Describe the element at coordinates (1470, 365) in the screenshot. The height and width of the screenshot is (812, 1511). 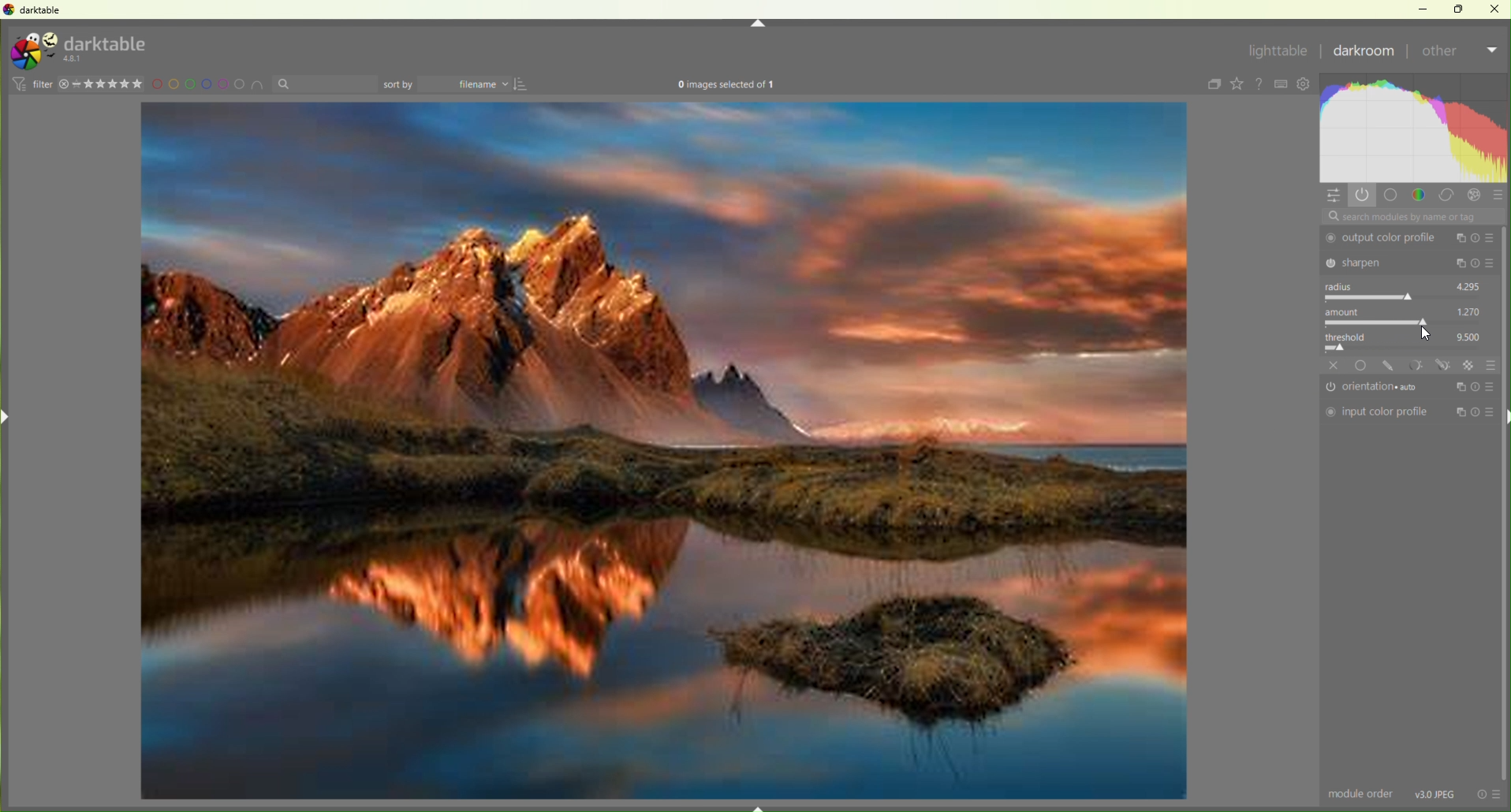
I see `Effects` at that location.